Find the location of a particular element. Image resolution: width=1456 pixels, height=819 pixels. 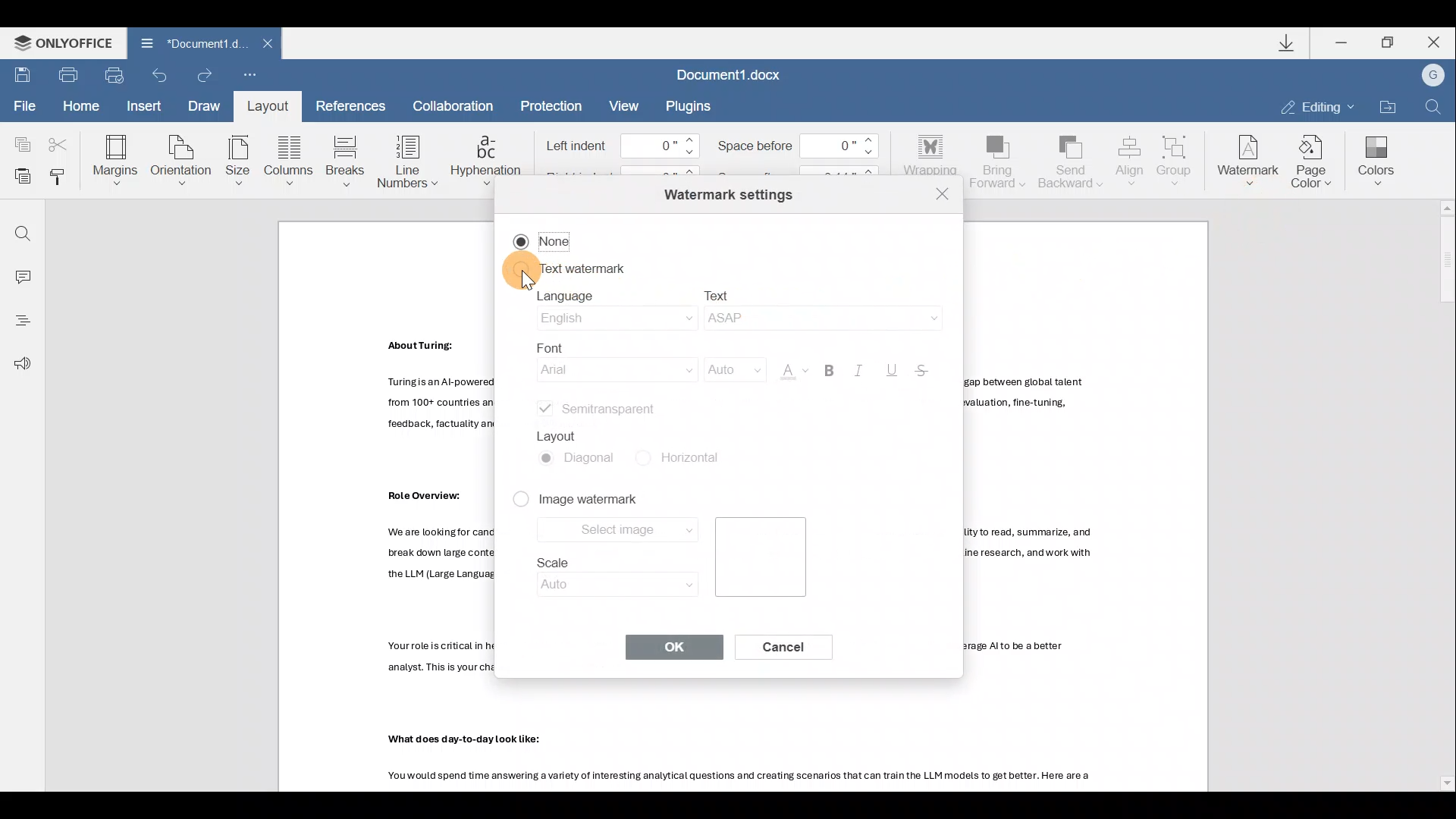

Scale is located at coordinates (607, 576).